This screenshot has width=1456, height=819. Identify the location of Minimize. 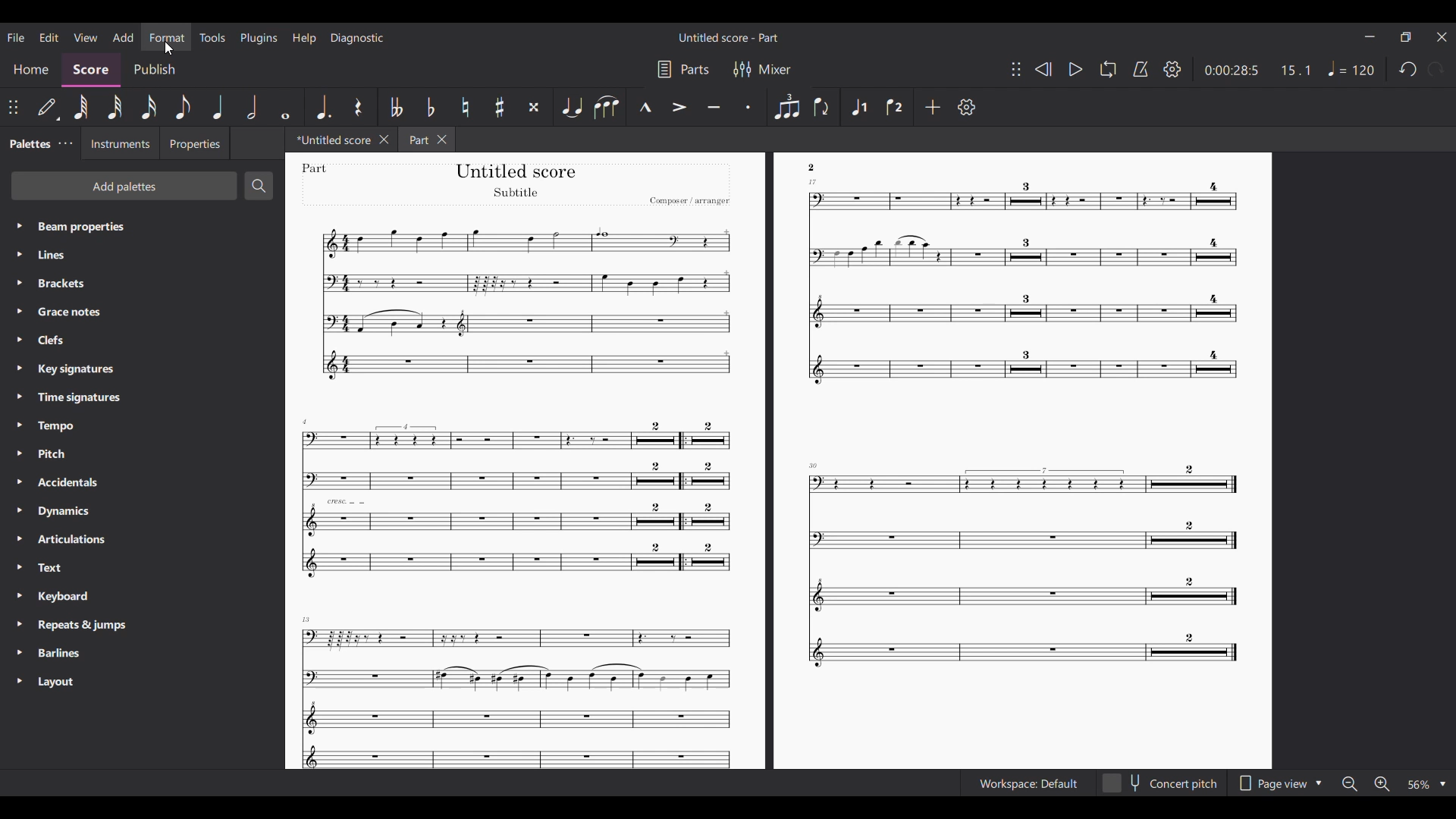
(1370, 36).